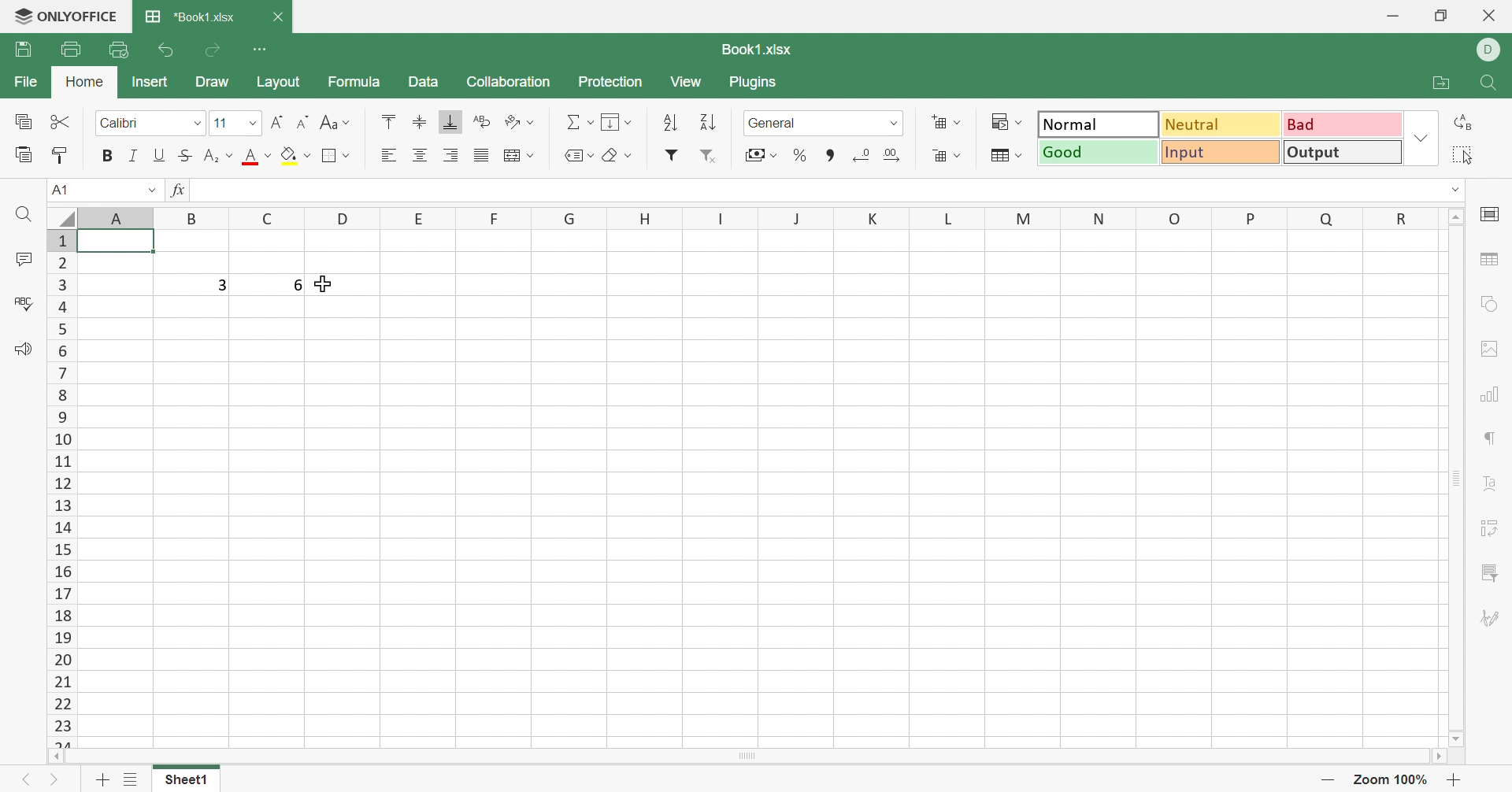 Image resolution: width=1512 pixels, height=792 pixels. What do you see at coordinates (105, 157) in the screenshot?
I see `Bold` at bounding box center [105, 157].